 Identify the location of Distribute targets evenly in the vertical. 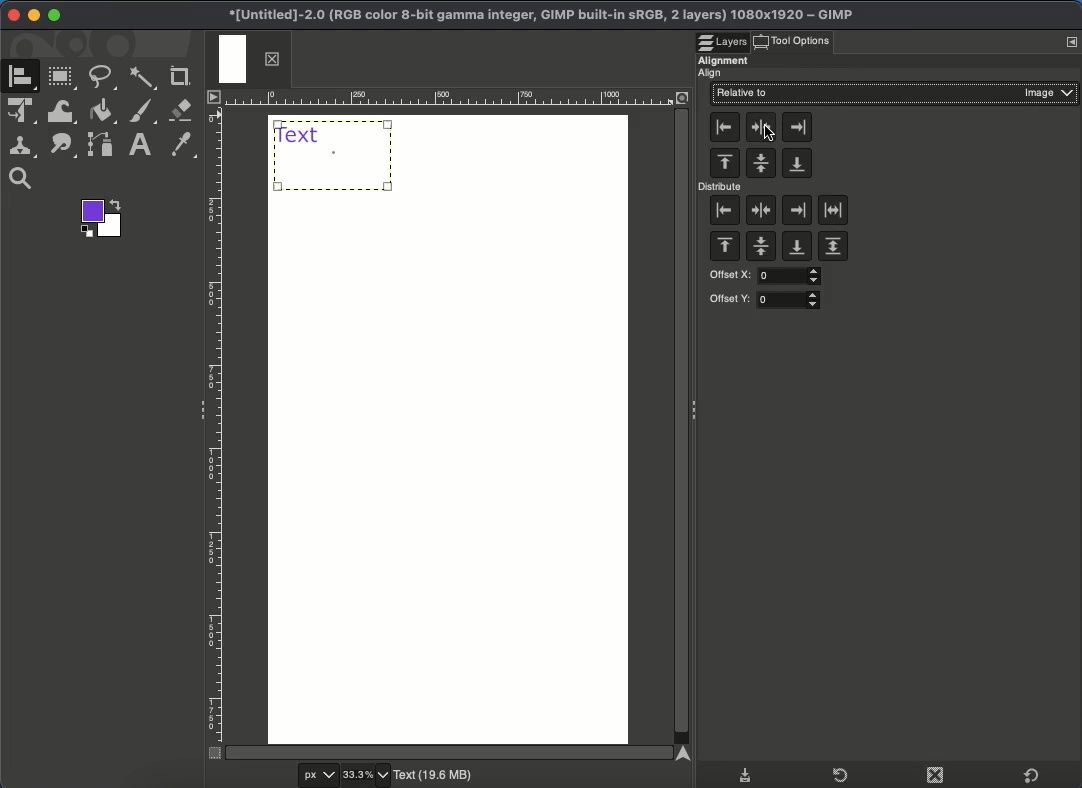
(833, 248).